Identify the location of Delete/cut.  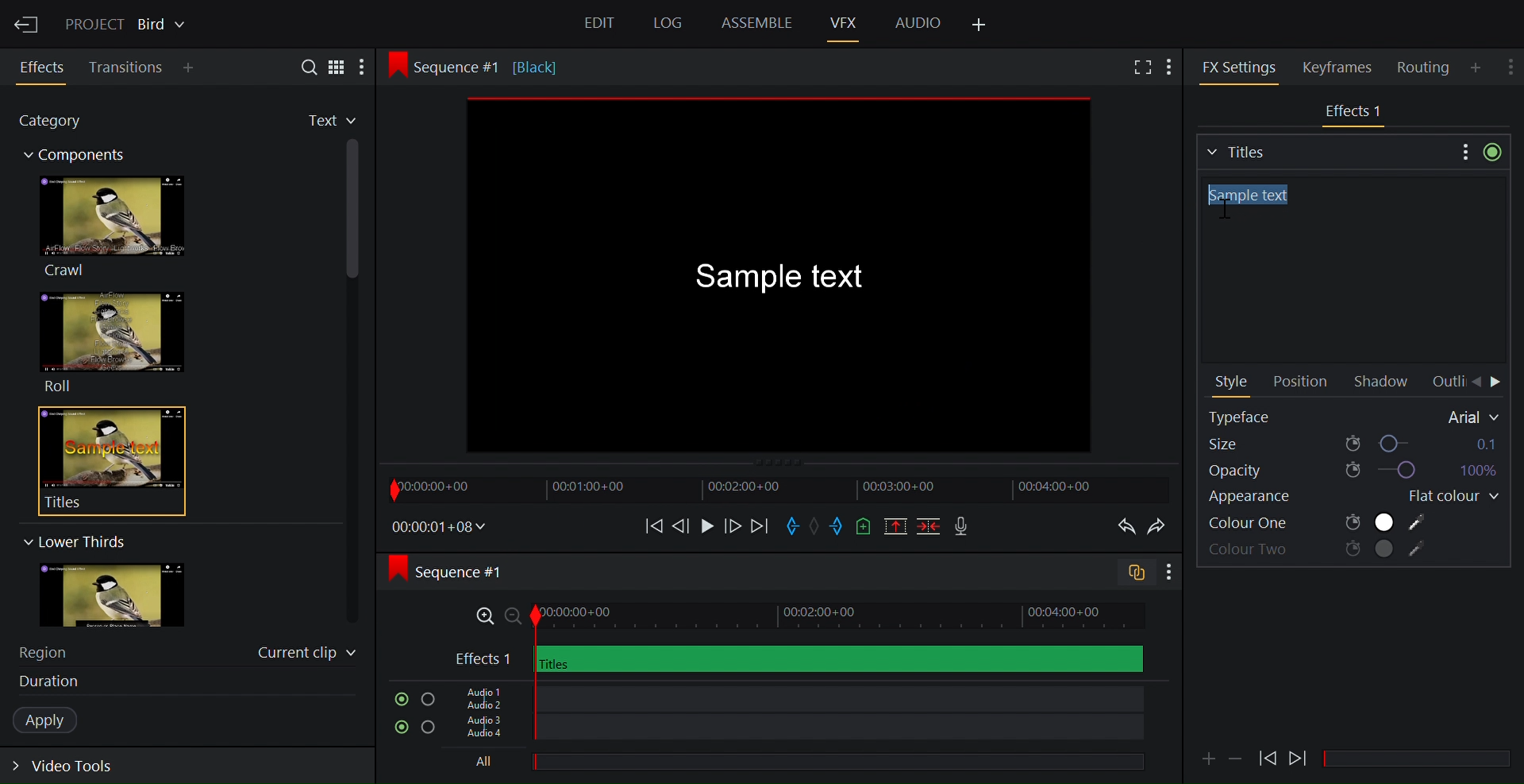
(930, 528).